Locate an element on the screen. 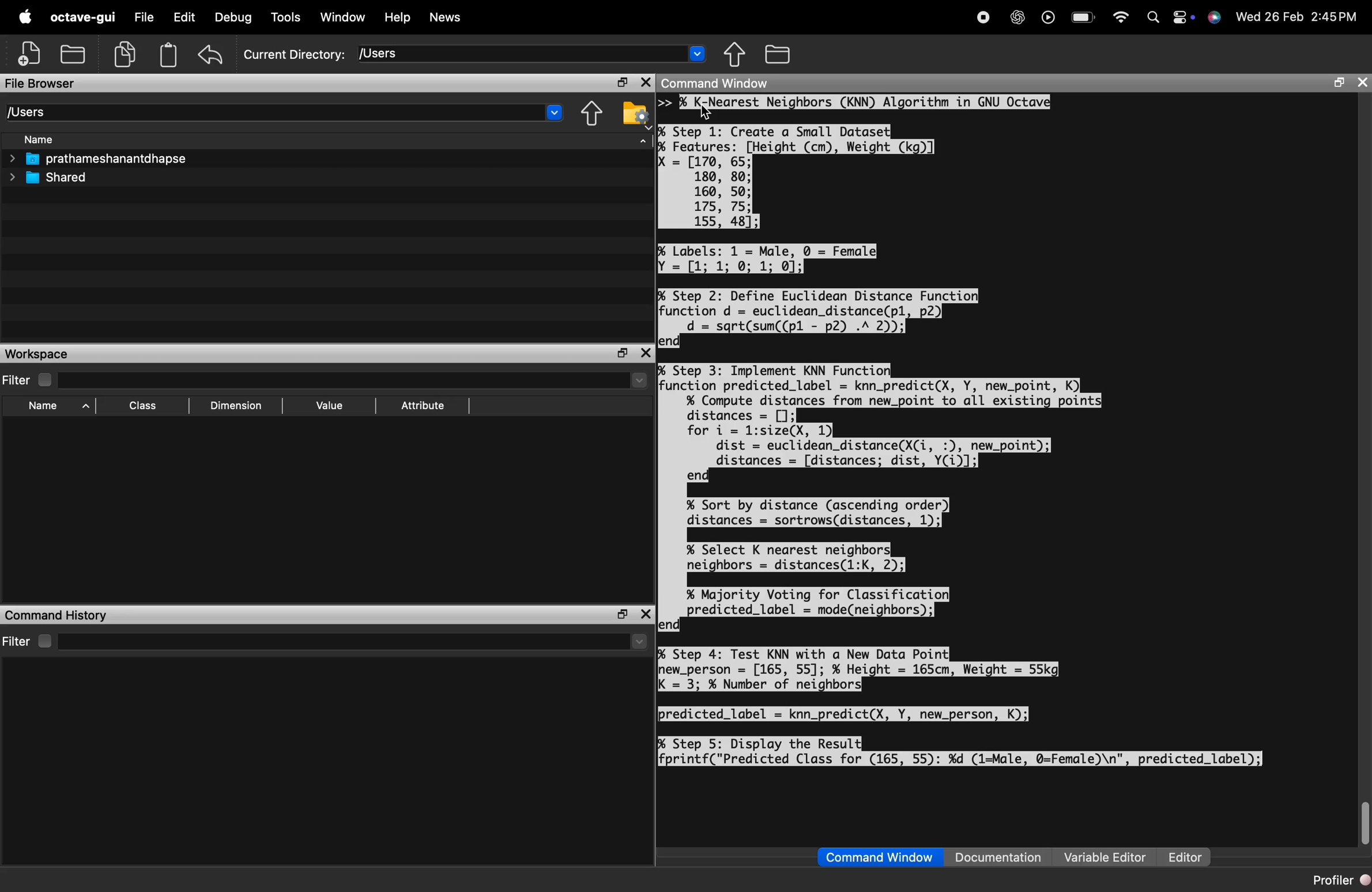 The width and height of the screenshot is (1372, 892). stop is located at coordinates (983, 16).